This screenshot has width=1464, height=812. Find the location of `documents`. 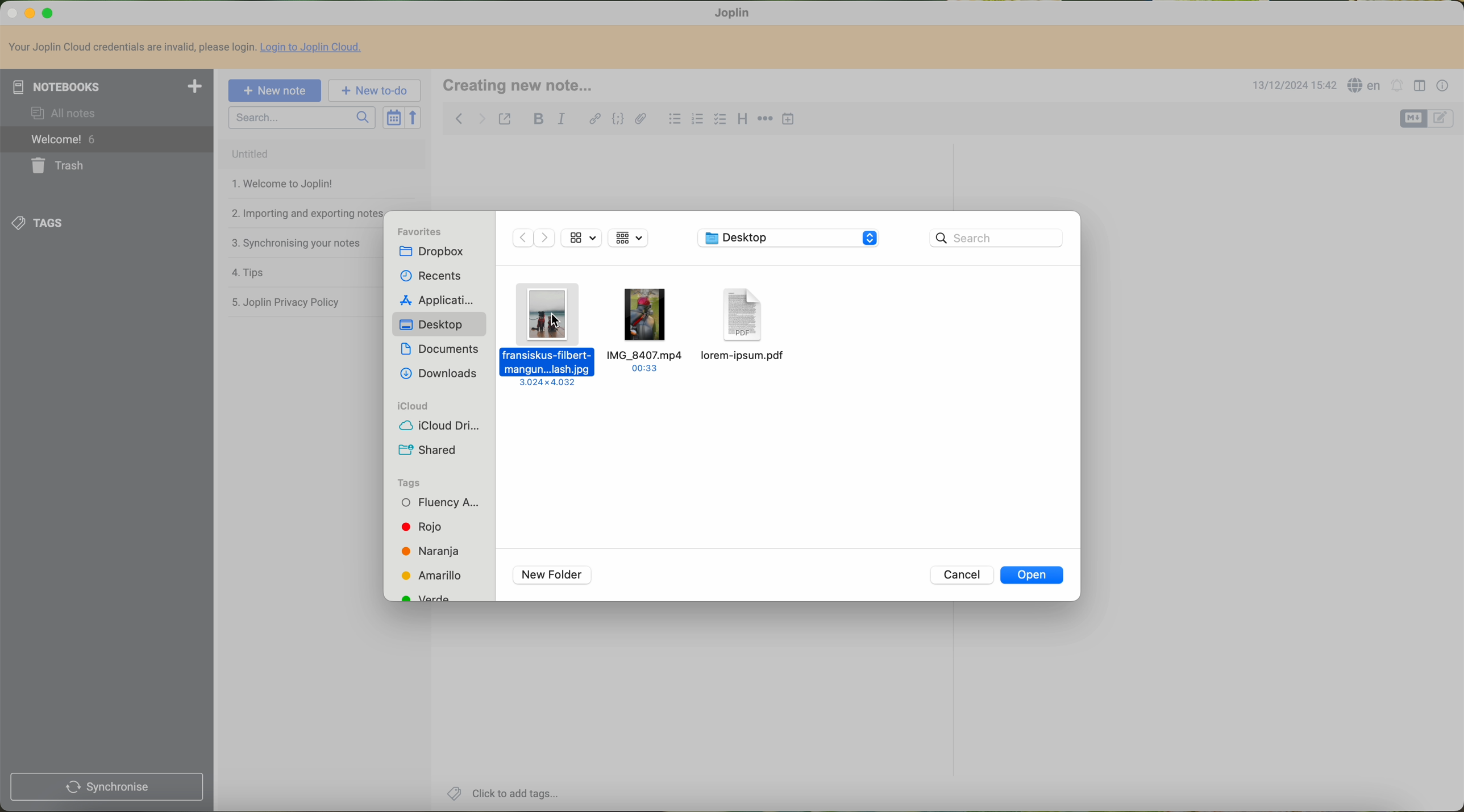

documents is located at coordinates (440, 348).